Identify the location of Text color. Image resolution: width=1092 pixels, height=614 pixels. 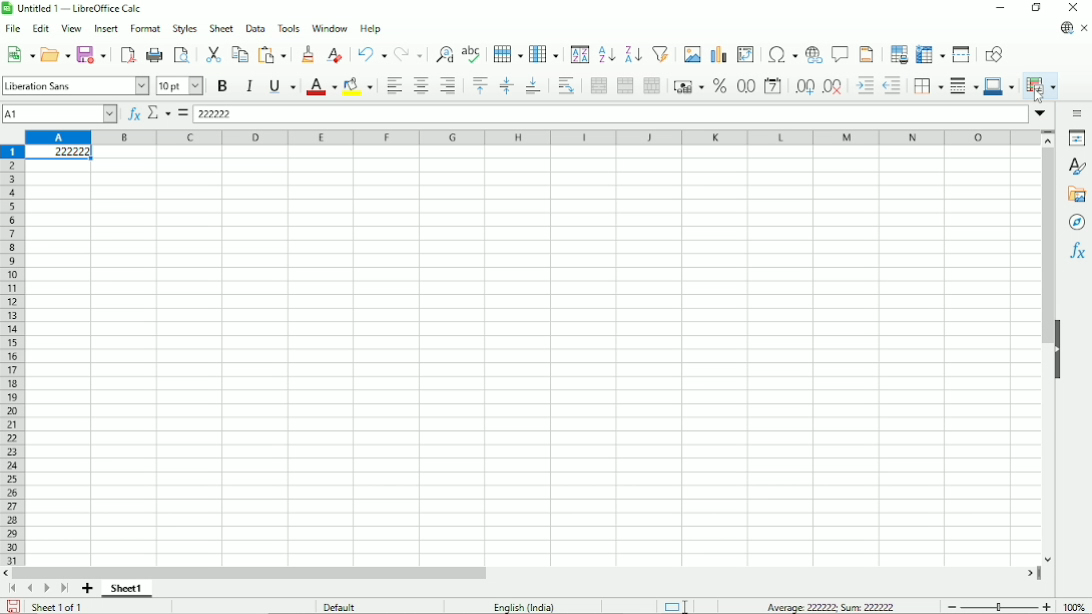
(321, 86).